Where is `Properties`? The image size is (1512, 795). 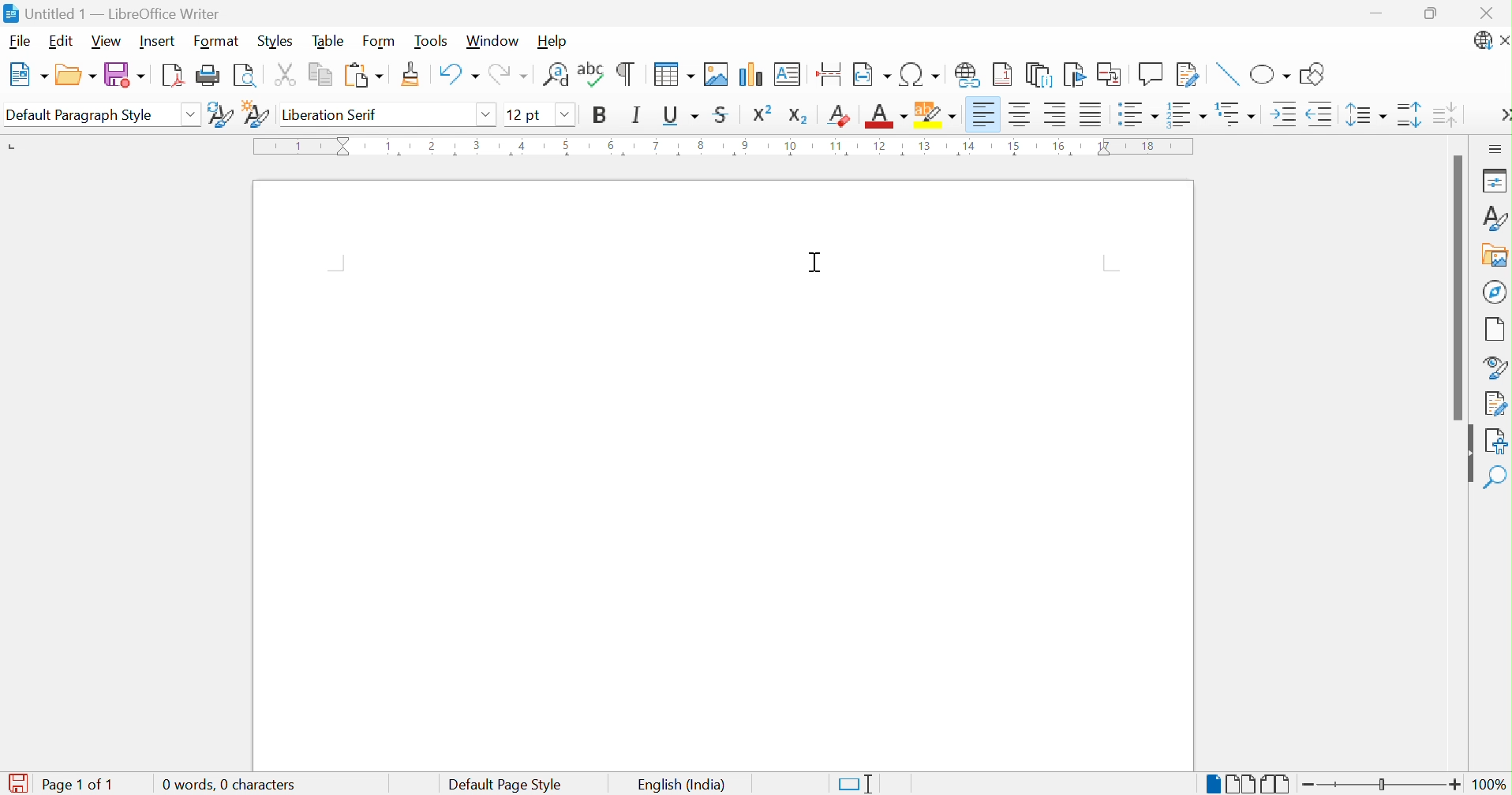
Properties is located at coordinates (1491, 181).